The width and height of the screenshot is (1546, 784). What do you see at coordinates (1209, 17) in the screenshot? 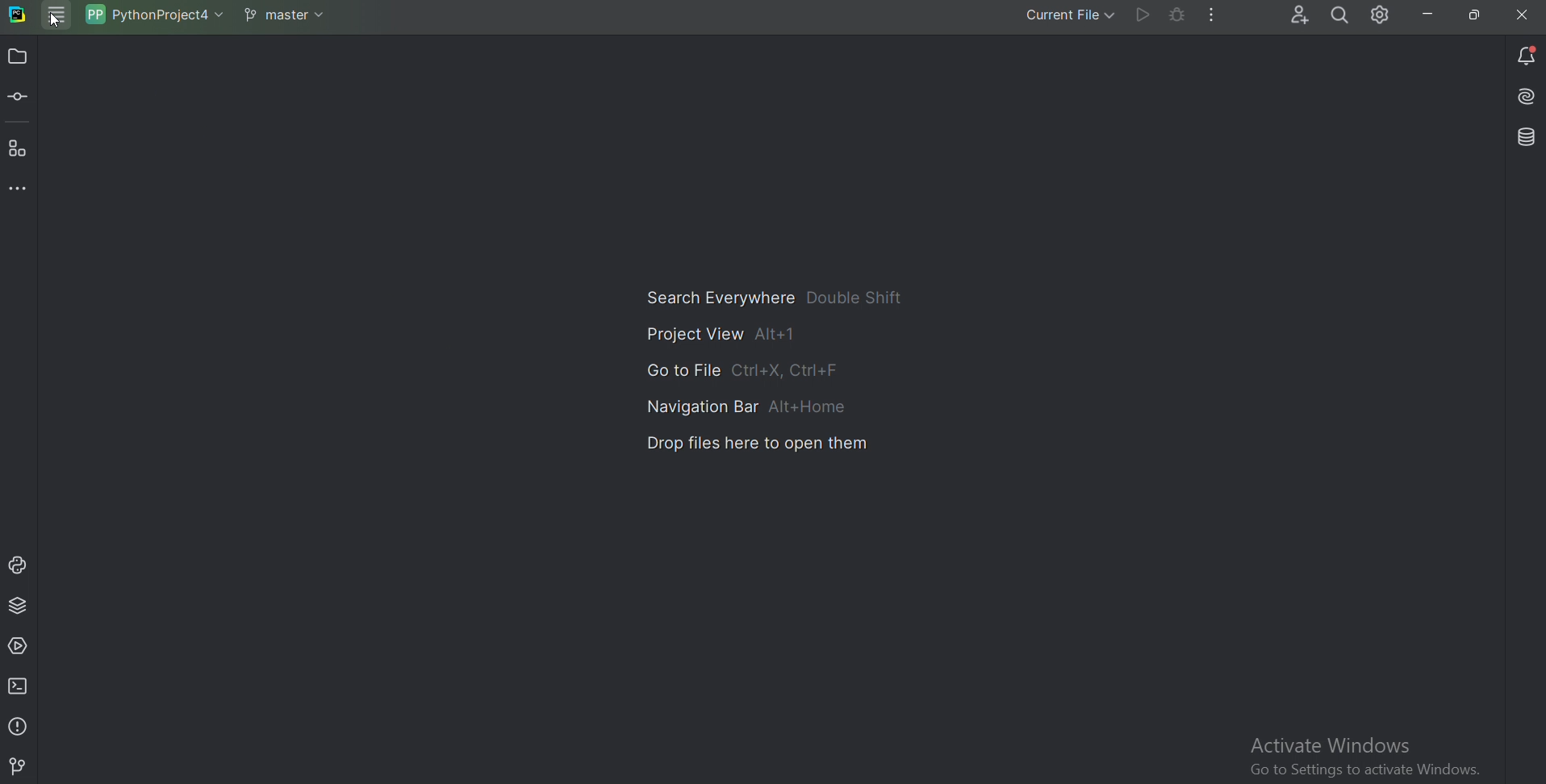
I see `More actions` at bounding box center [1209, 17].